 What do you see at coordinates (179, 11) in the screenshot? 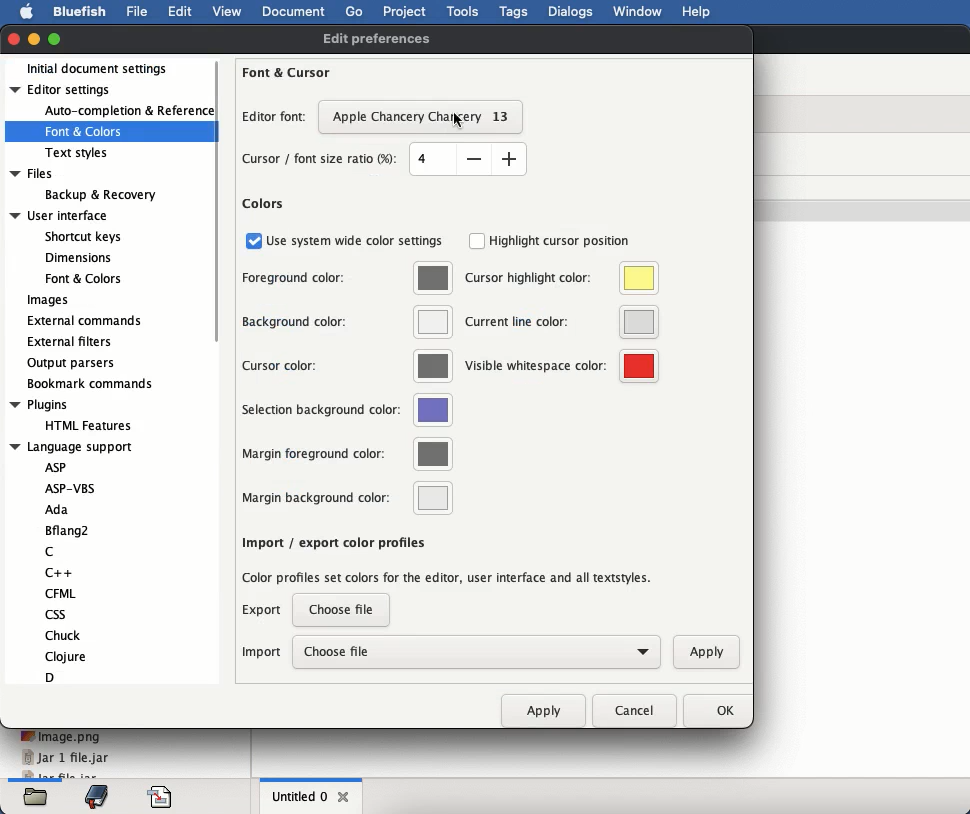
I see `edit` at bounding box center [179, 11].